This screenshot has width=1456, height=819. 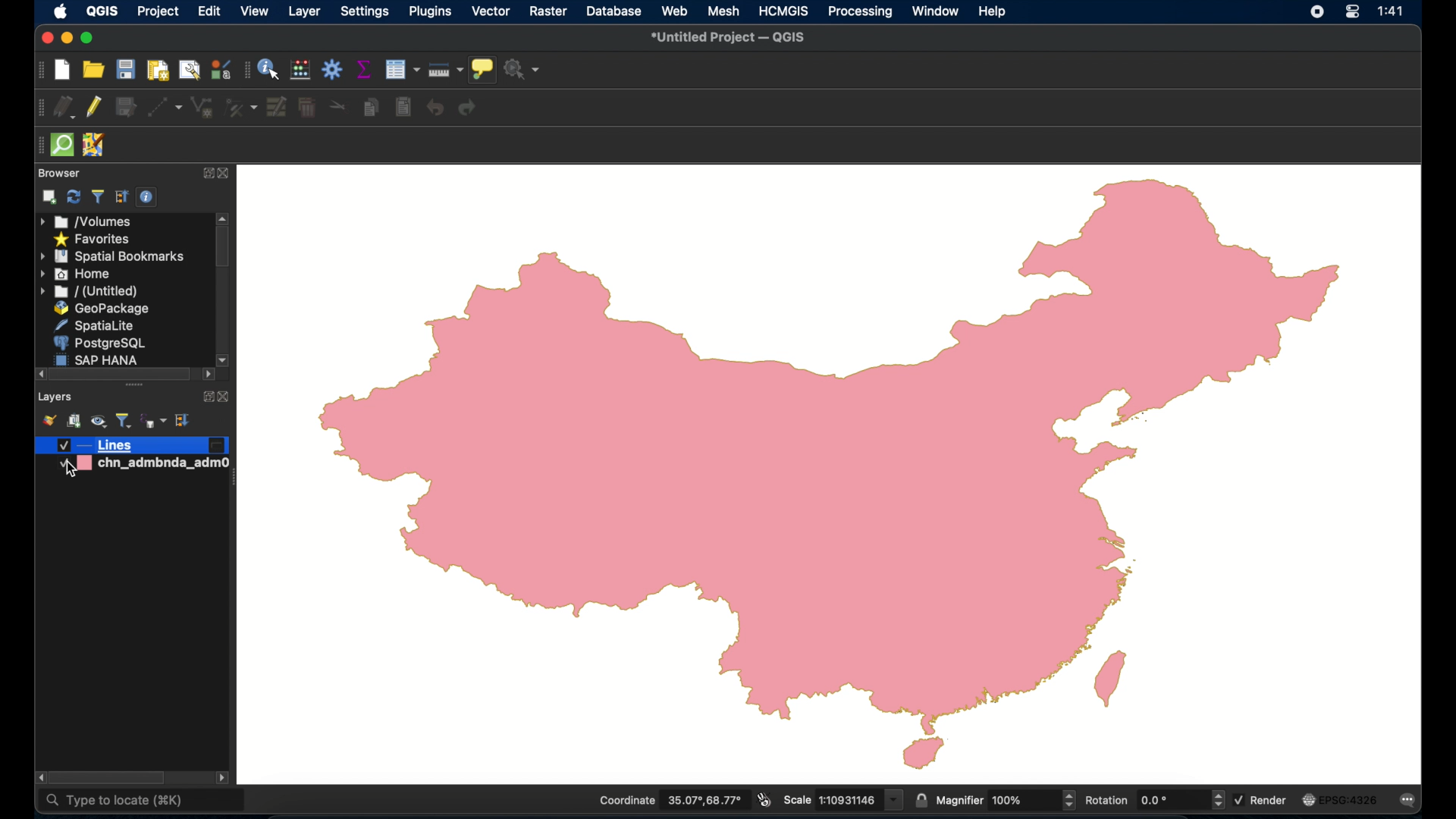 What do you see at coordinates (124, 420) in the screenshot?
I see `filter legend` at bounding box center [124, 420].